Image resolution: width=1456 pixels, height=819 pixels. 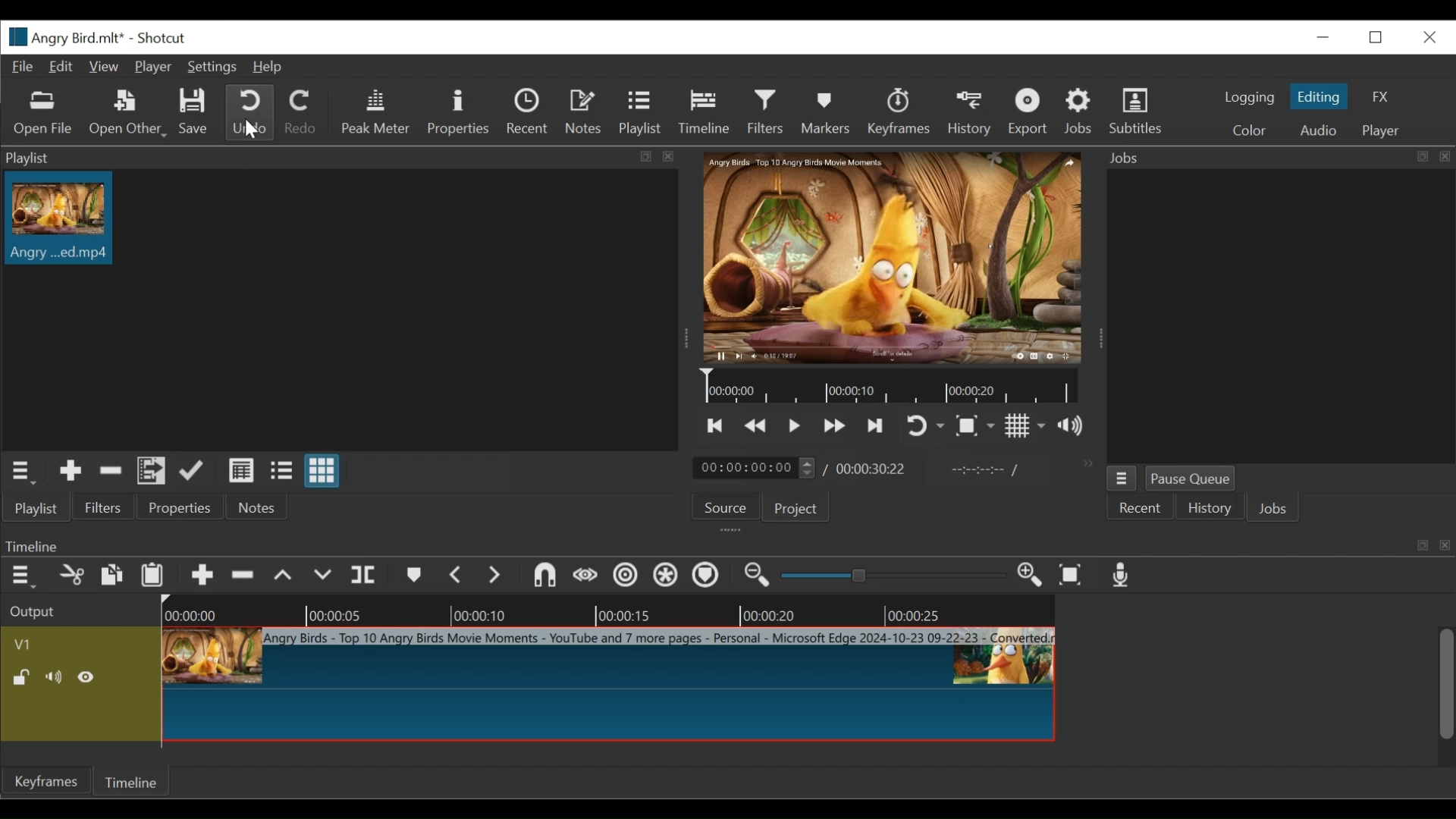 I want to click on Paste, so click(x=152, y=575).